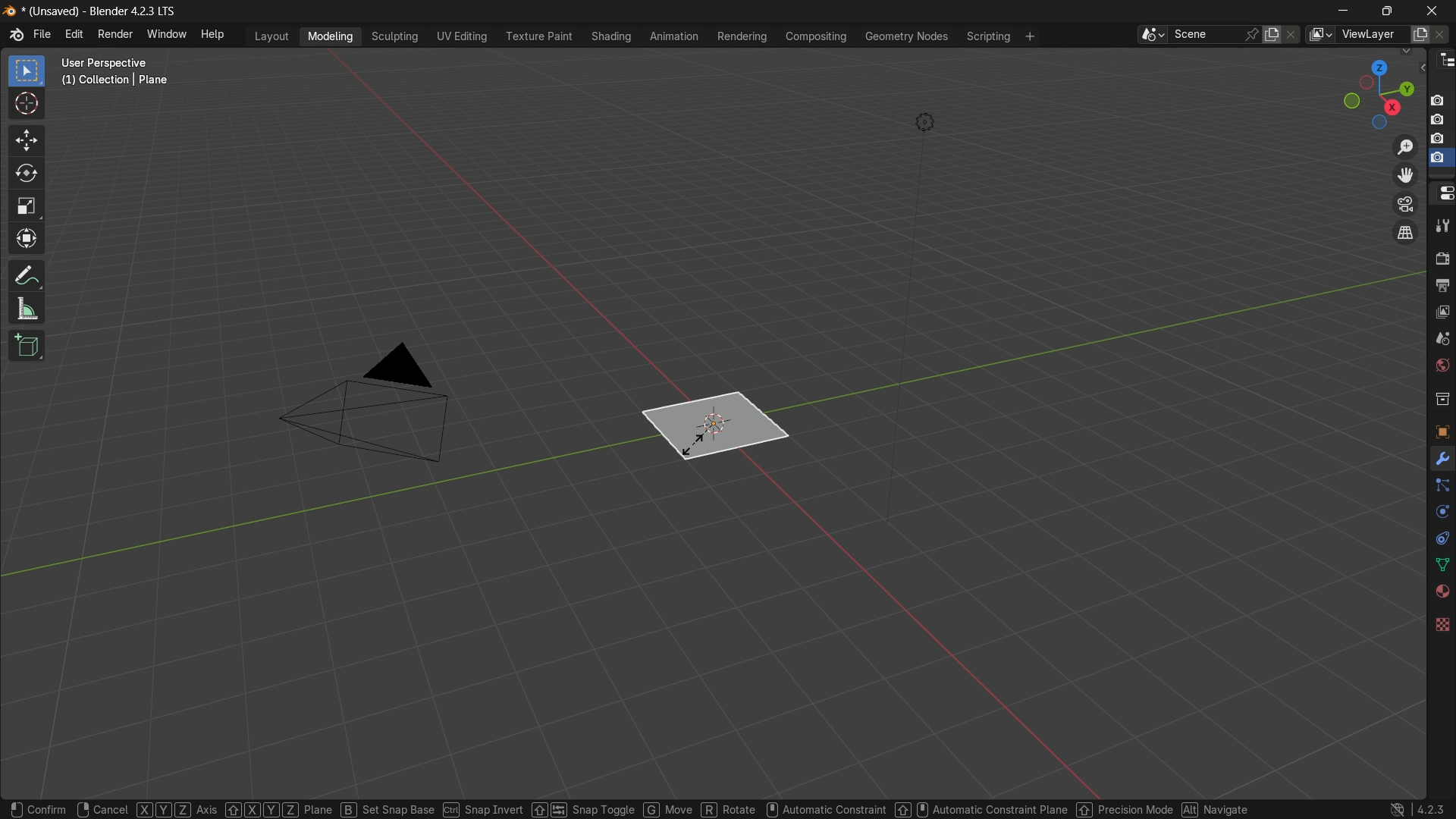 The height and width of the screenshot is (819, 1456). What do you see at coordinates (1321, 34) in the screenshot?
I see `browse views` at bounding box center [1321, 34].